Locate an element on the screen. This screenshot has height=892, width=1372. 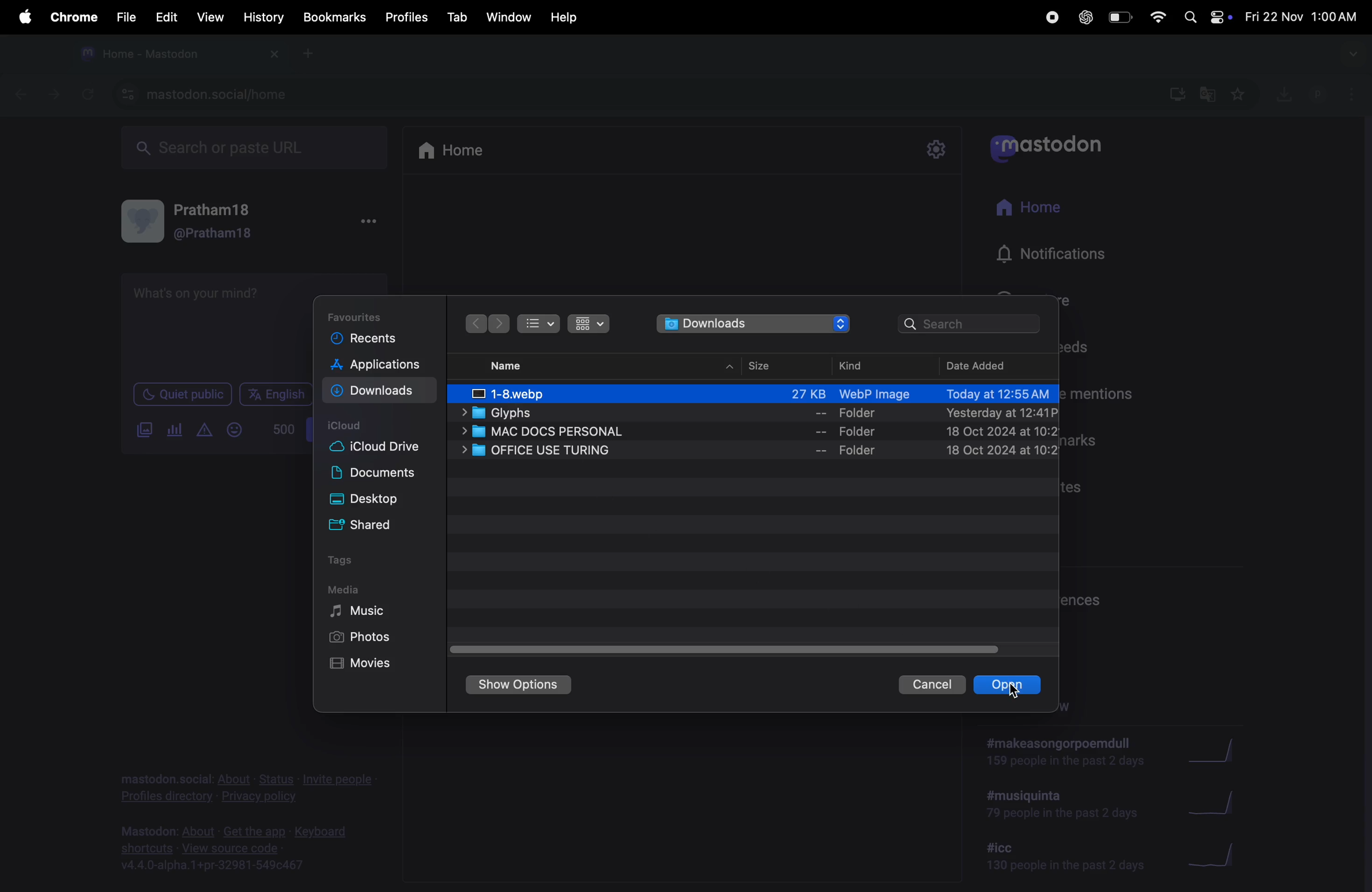
edit is located at coordinates (166, 17).